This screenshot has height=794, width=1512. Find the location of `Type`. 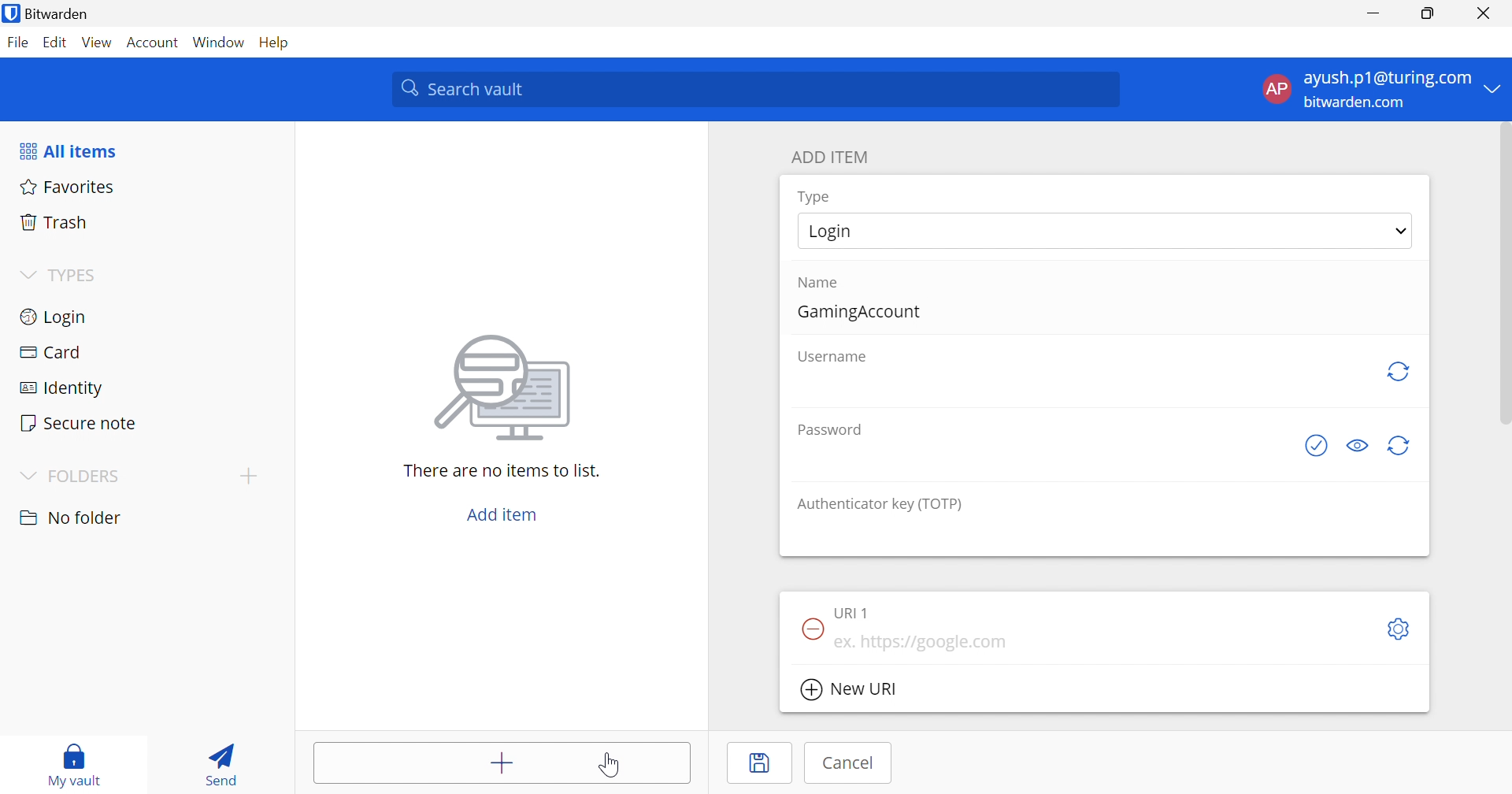

Type is located at coordinates (819, 196).